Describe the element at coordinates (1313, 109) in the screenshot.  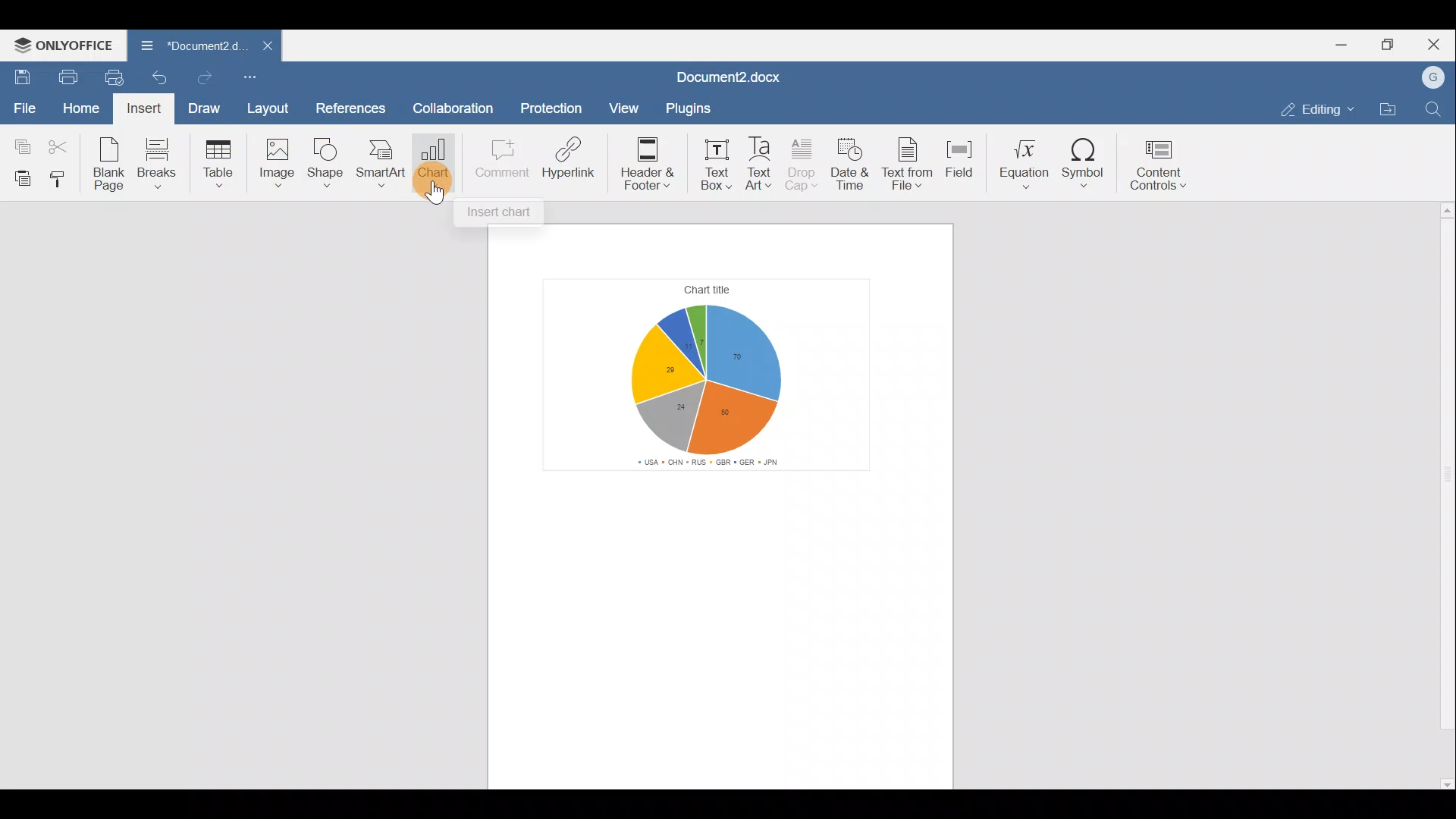
I see `Editing mode` at that location.